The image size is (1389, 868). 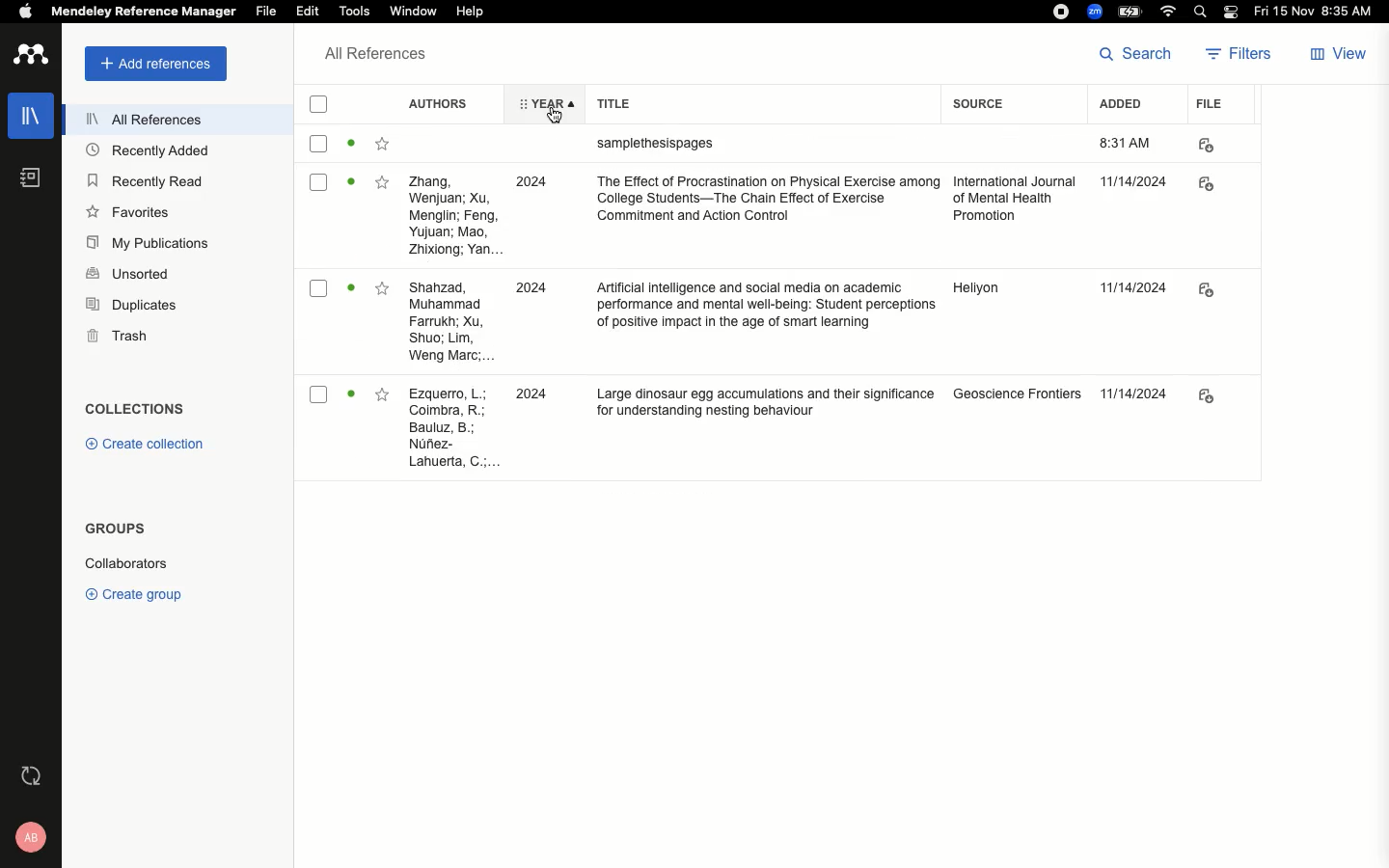 I want to click on view status, so click(x=351, y=146).